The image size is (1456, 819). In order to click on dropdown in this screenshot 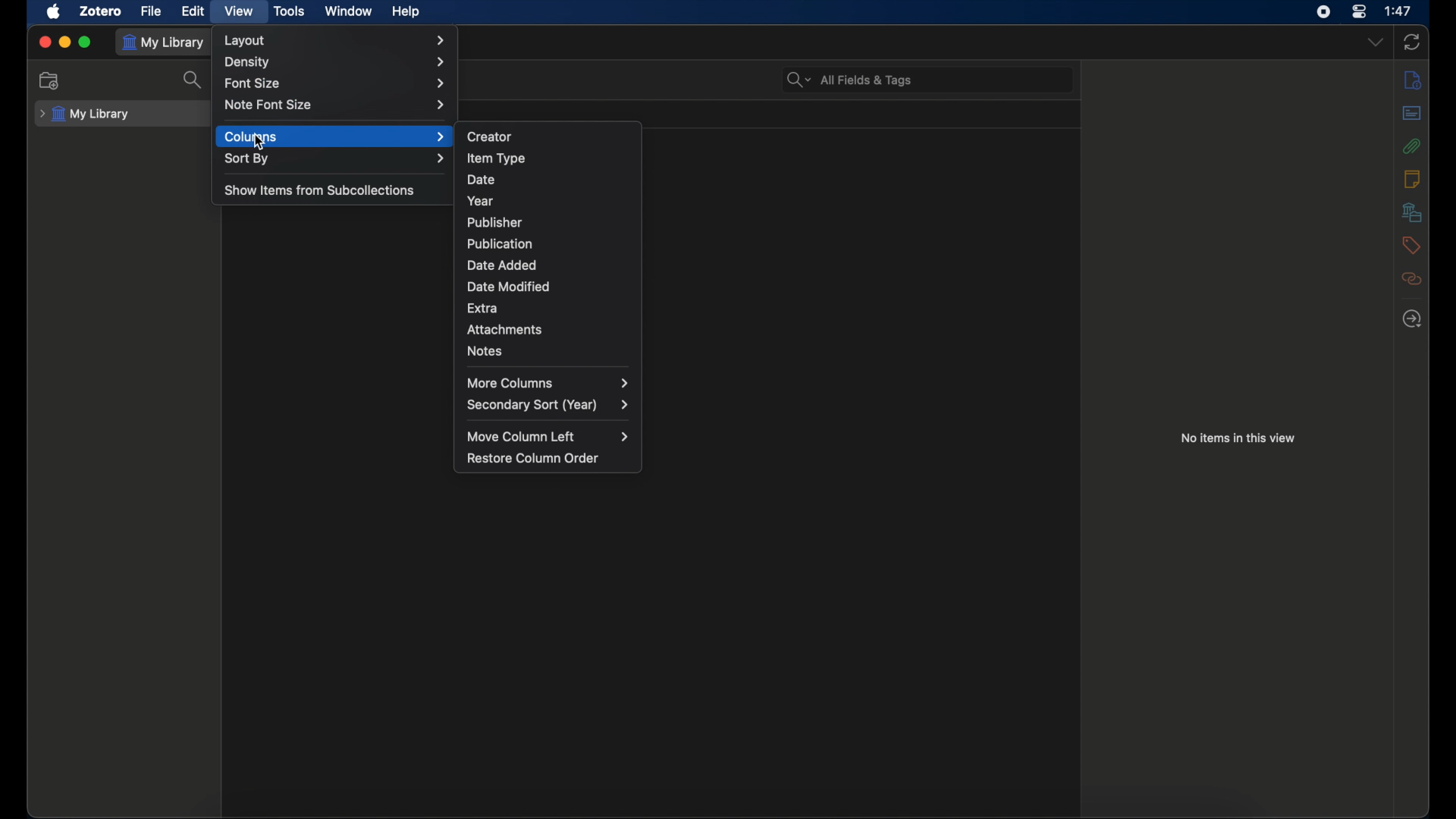, I will do `click(1376, 42)`.